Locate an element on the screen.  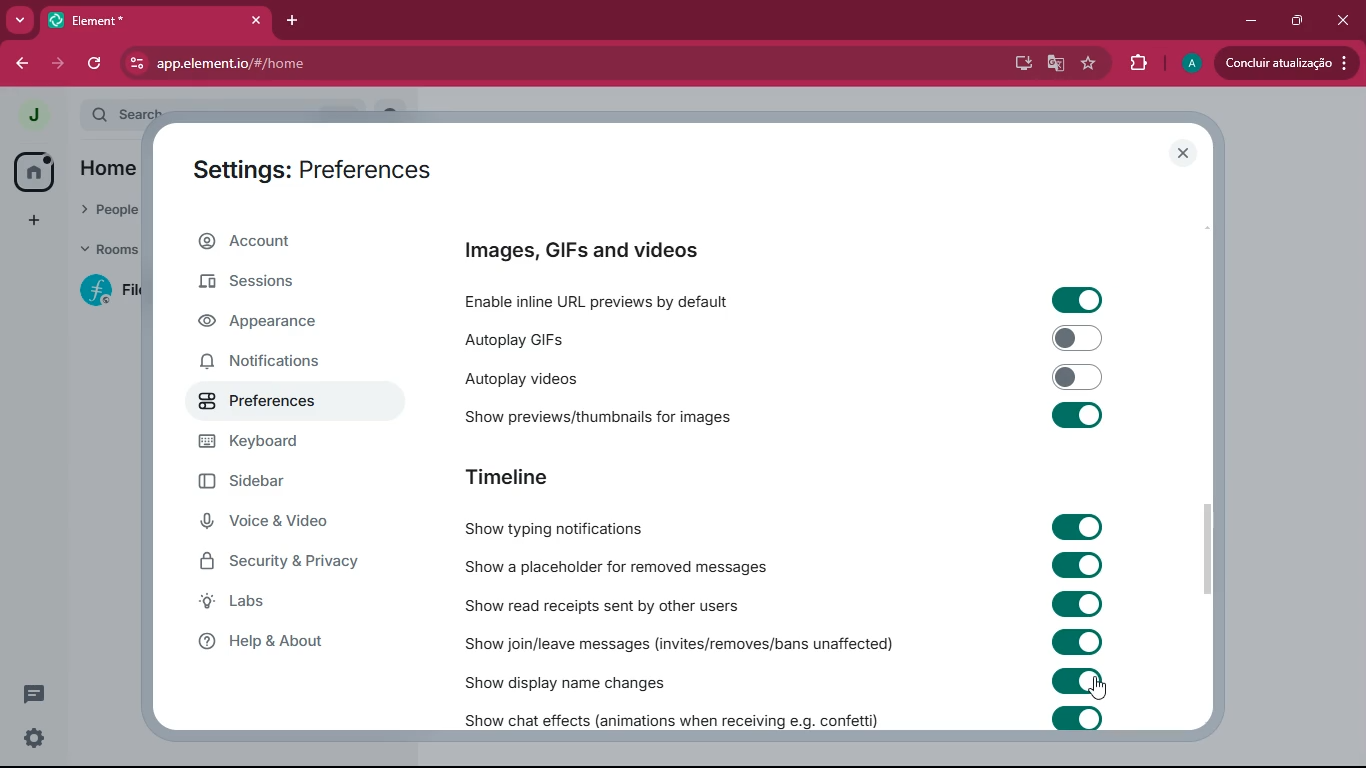
update is located at coordinates (1282, 63).